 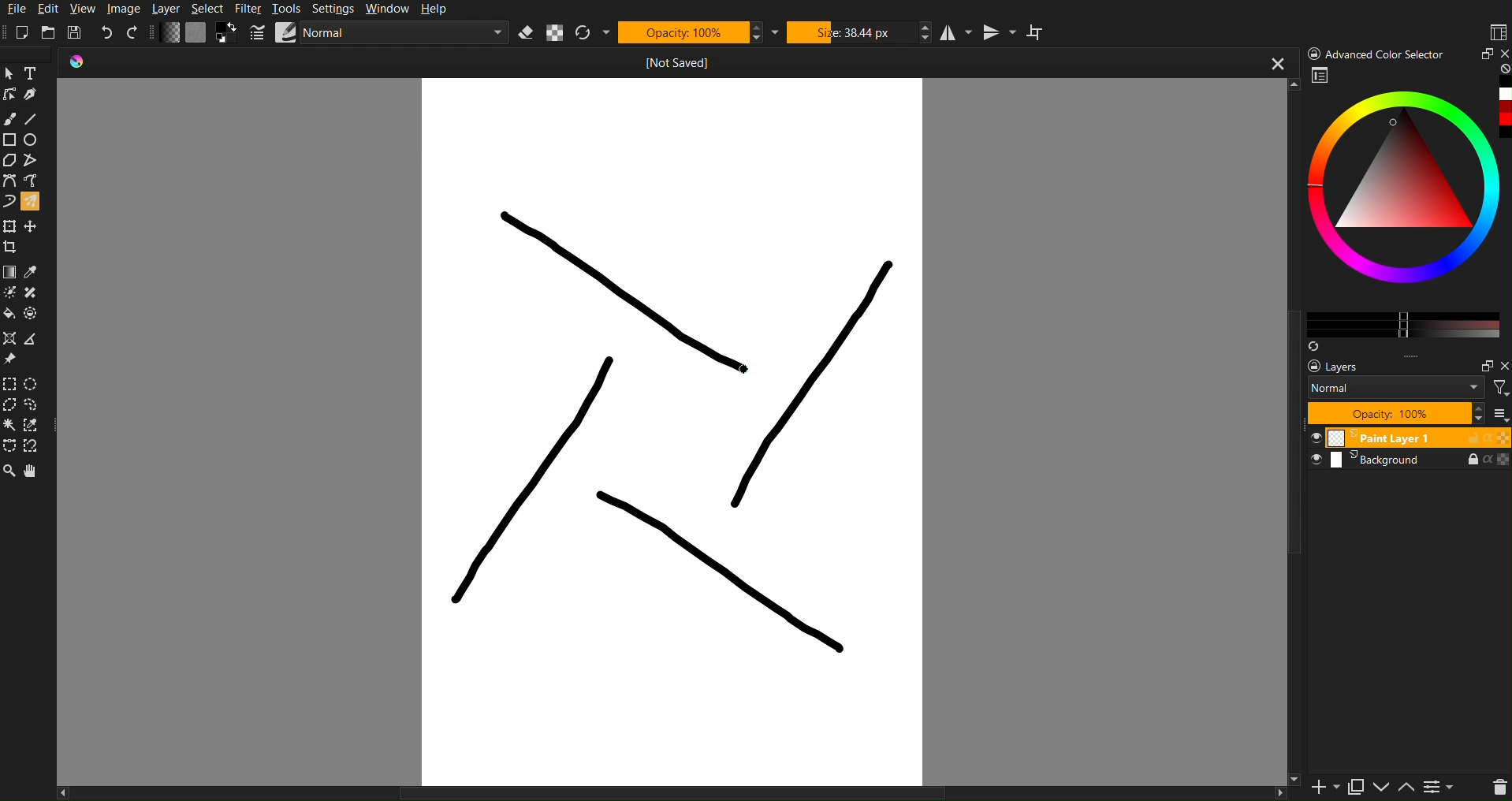 What do you see at coordinates (442, 9) in the screenshot?
I see `Help` at bounding box center [442, 9].